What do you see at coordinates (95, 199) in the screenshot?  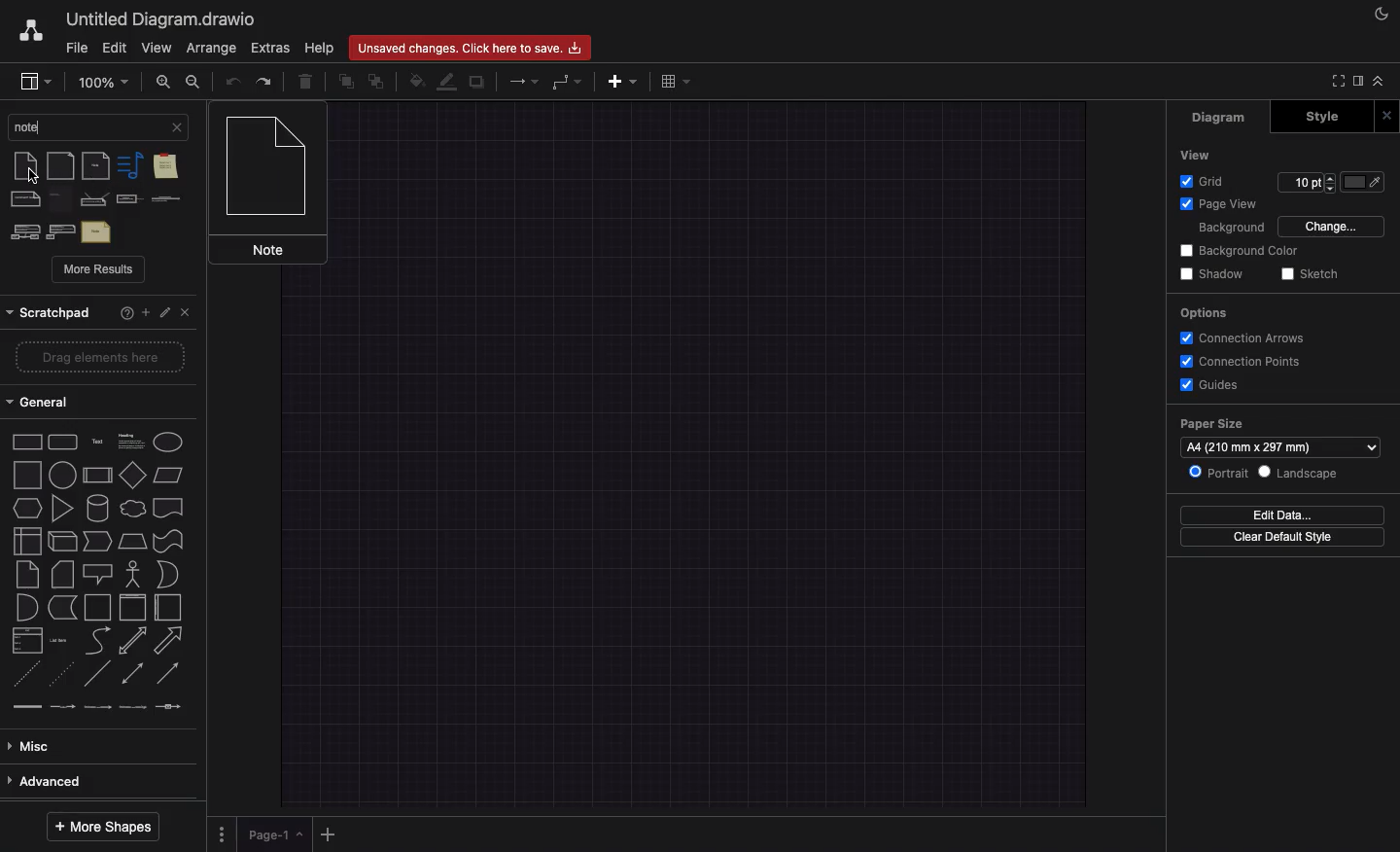 I see `constraint note` at bounding box center [95, 199].